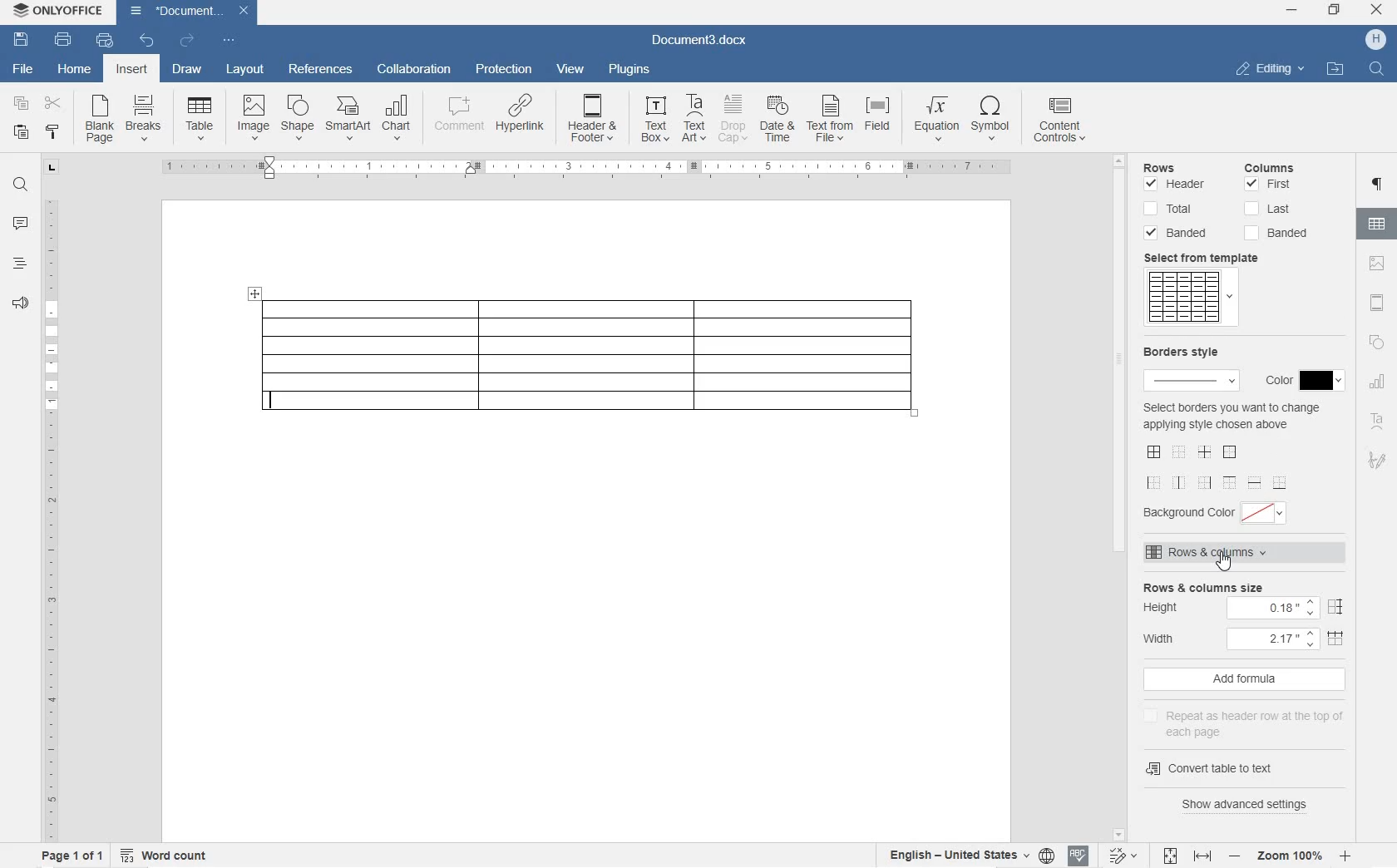 The image size is (1397, 868). I want to click on TEXT FROM FILE, so click(829, 121).